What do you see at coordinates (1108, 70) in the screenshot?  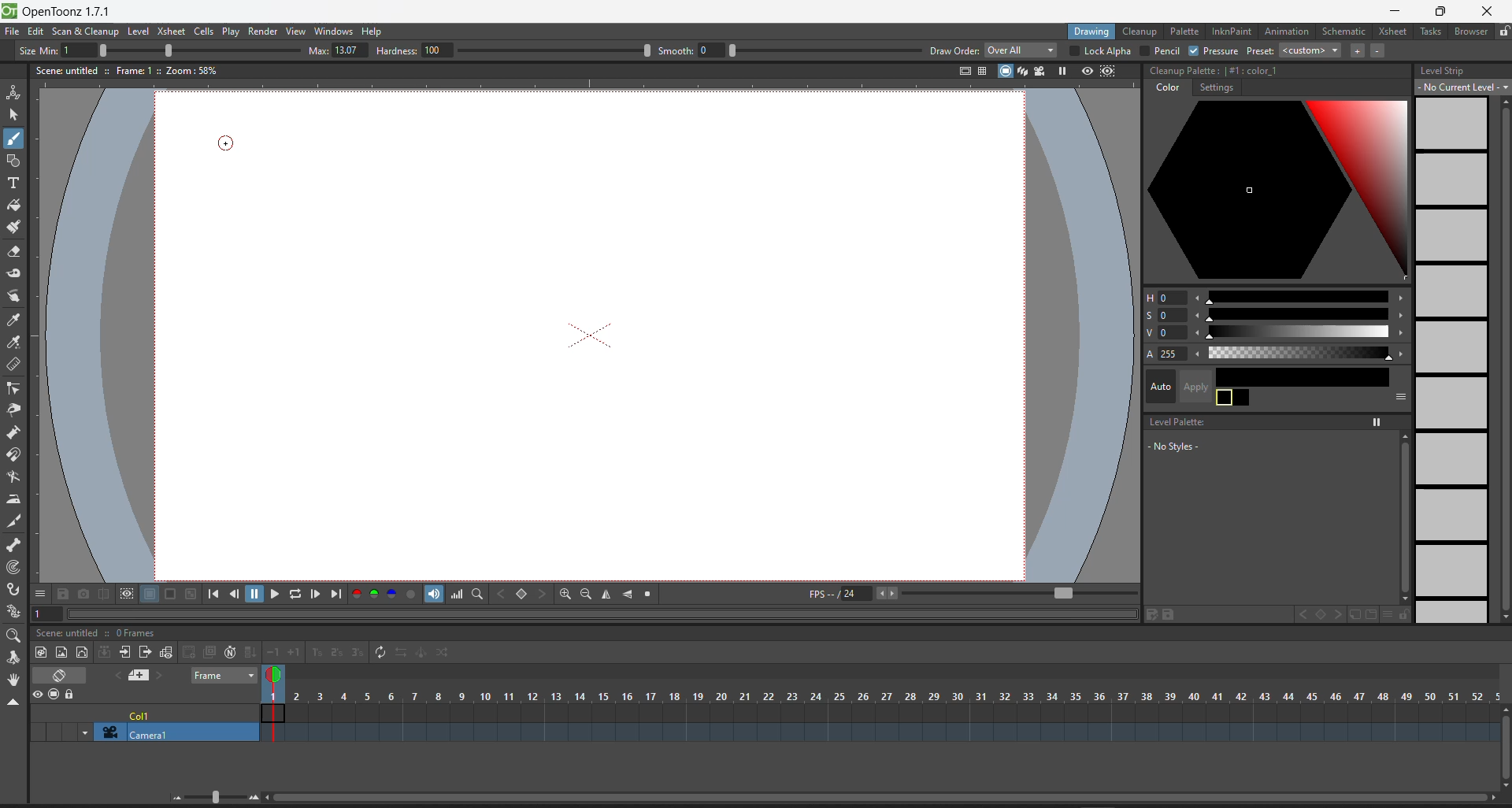 I see `sub camera preview` at bounding box center [1108, 70].